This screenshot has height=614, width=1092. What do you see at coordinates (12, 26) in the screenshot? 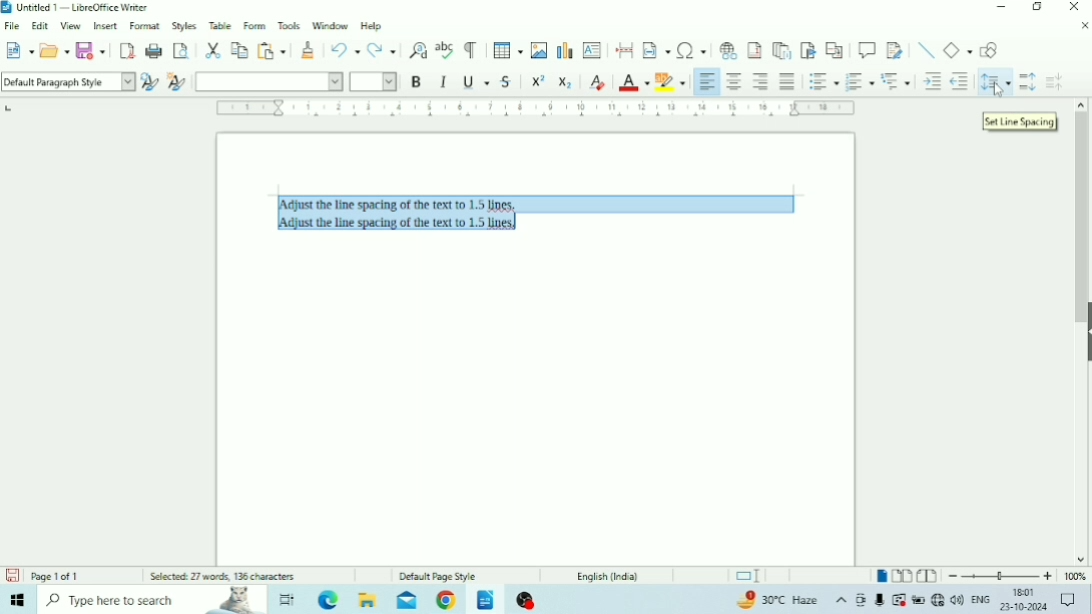
I see `File` at bounding box center [12, 26].